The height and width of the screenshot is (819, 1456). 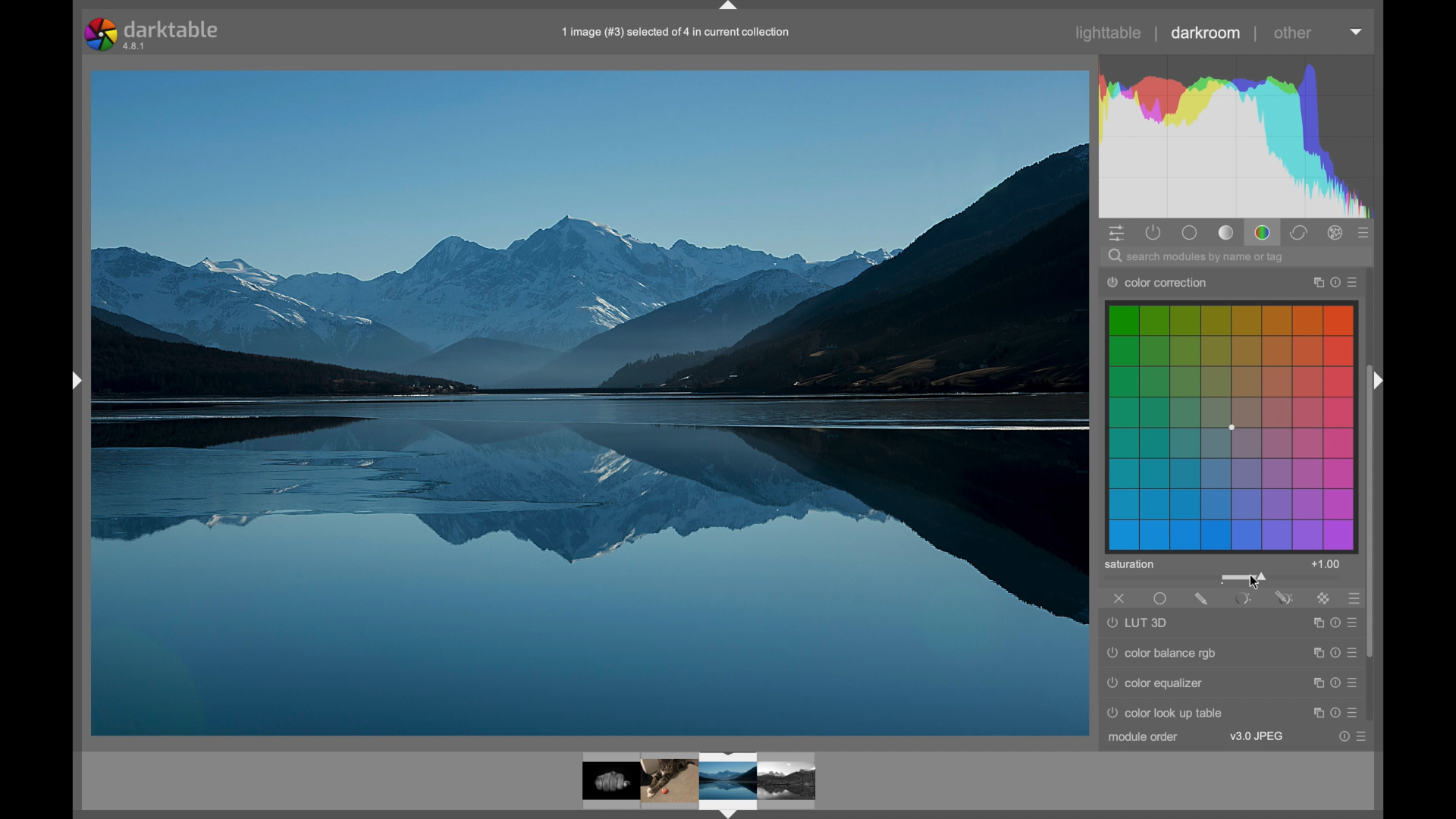 I want to click on options, so click(x=1335, y=653).